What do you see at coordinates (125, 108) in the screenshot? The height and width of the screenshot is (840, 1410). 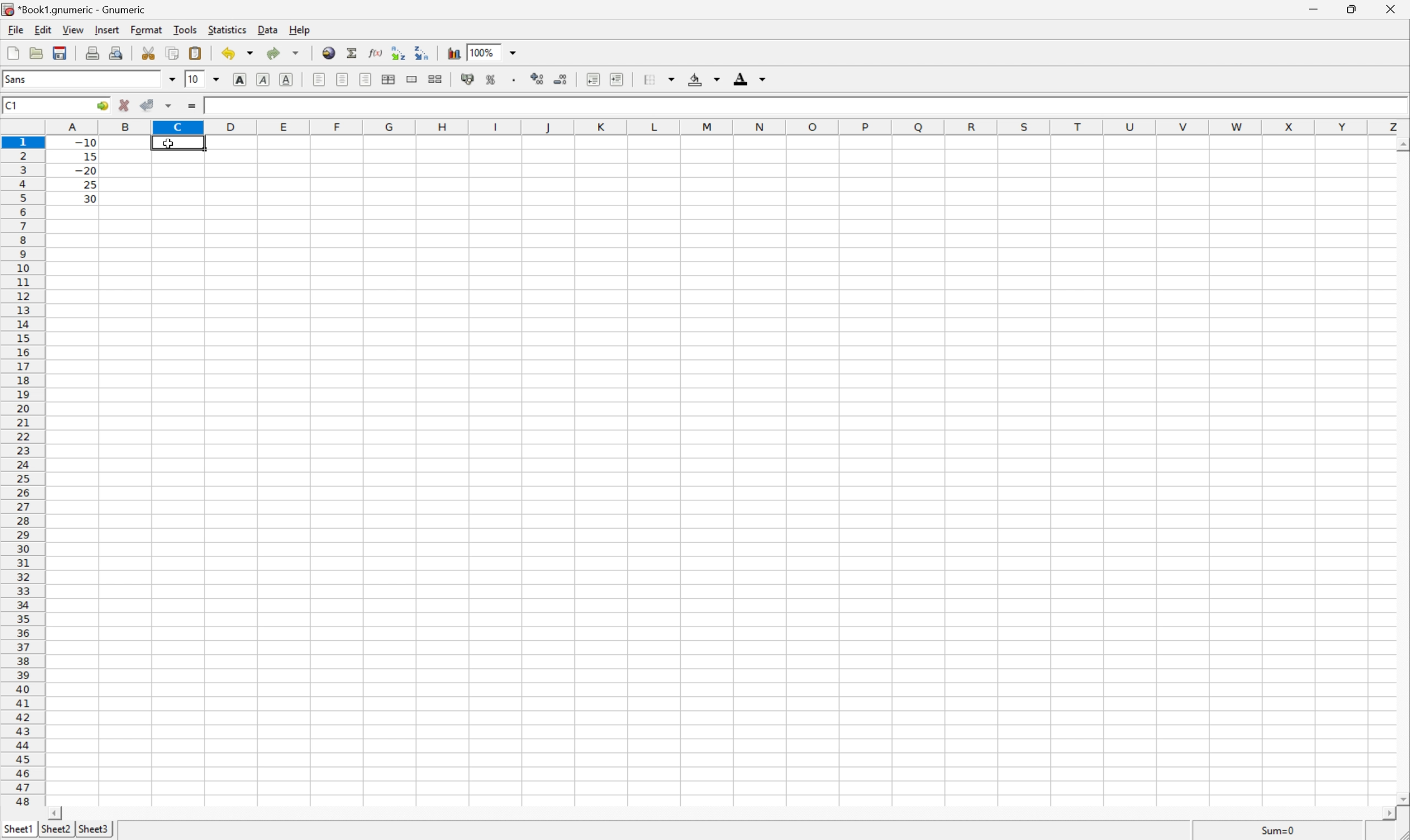 I see `cancel change` at bounding box center [125, 108].